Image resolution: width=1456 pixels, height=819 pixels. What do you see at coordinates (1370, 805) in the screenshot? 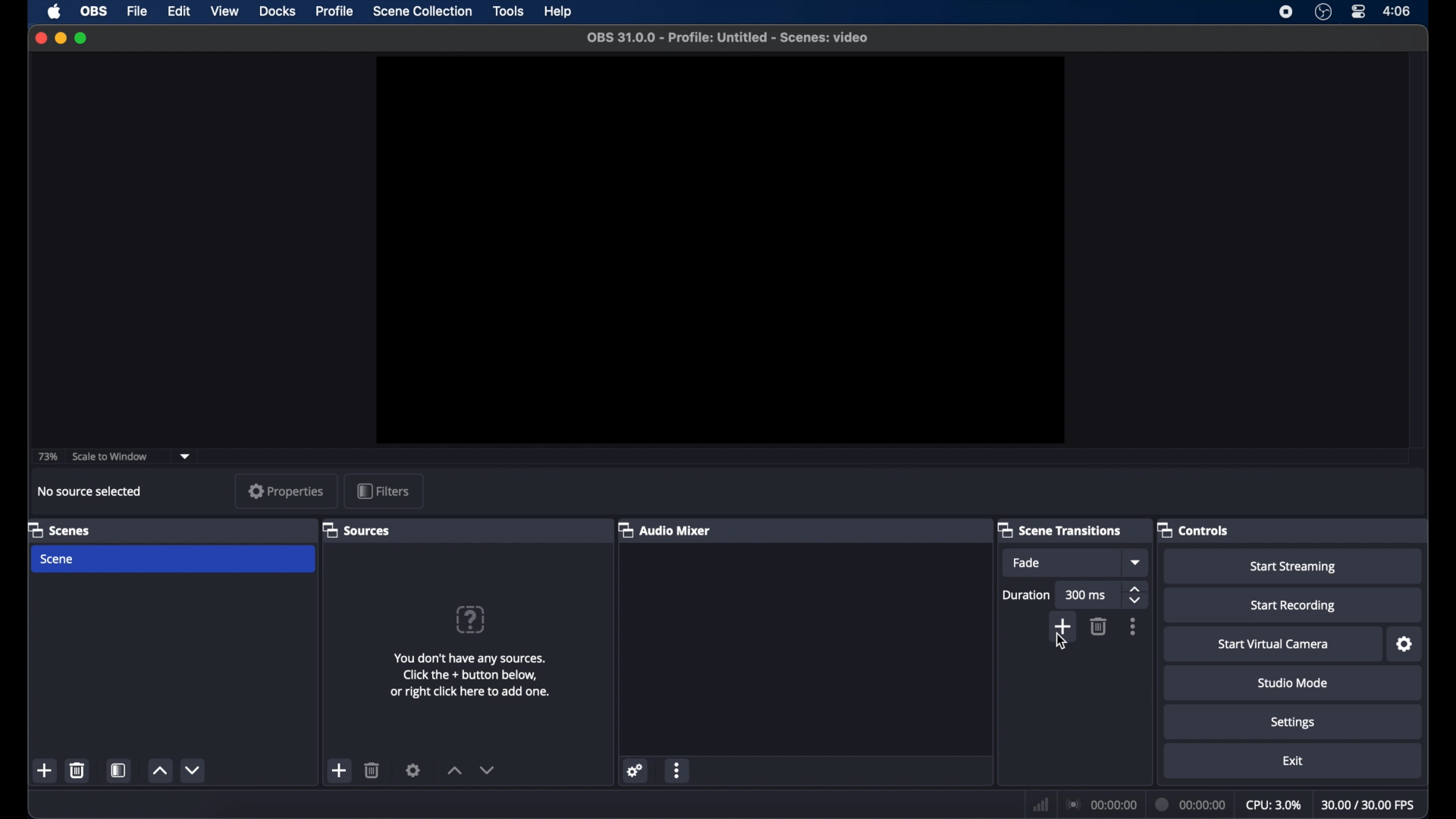
I see `fps` at bounding box center [1370, 805].